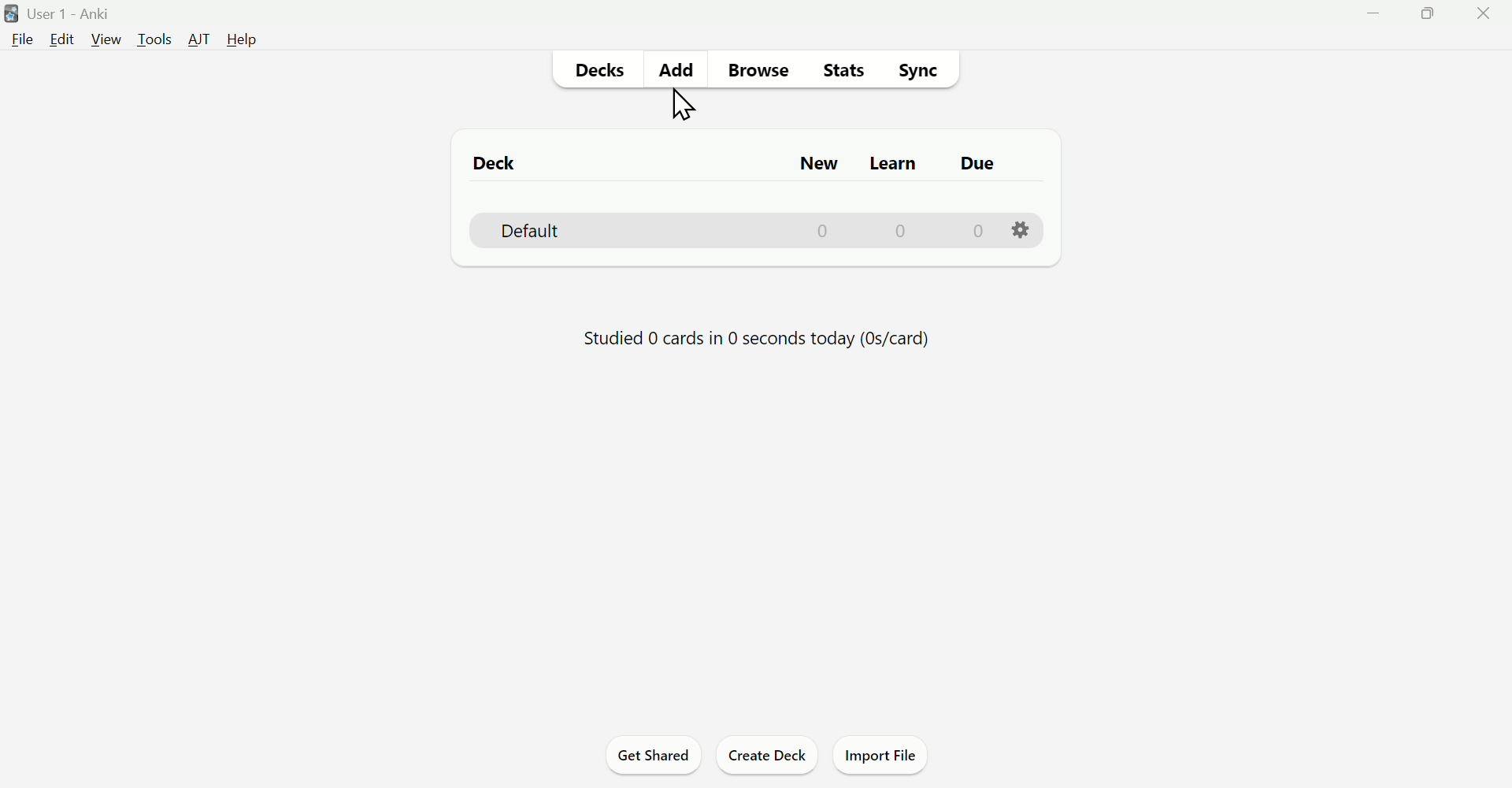  Describe the element at coordinates (758, 341) in the screenshot. I see `Progress` at that location.